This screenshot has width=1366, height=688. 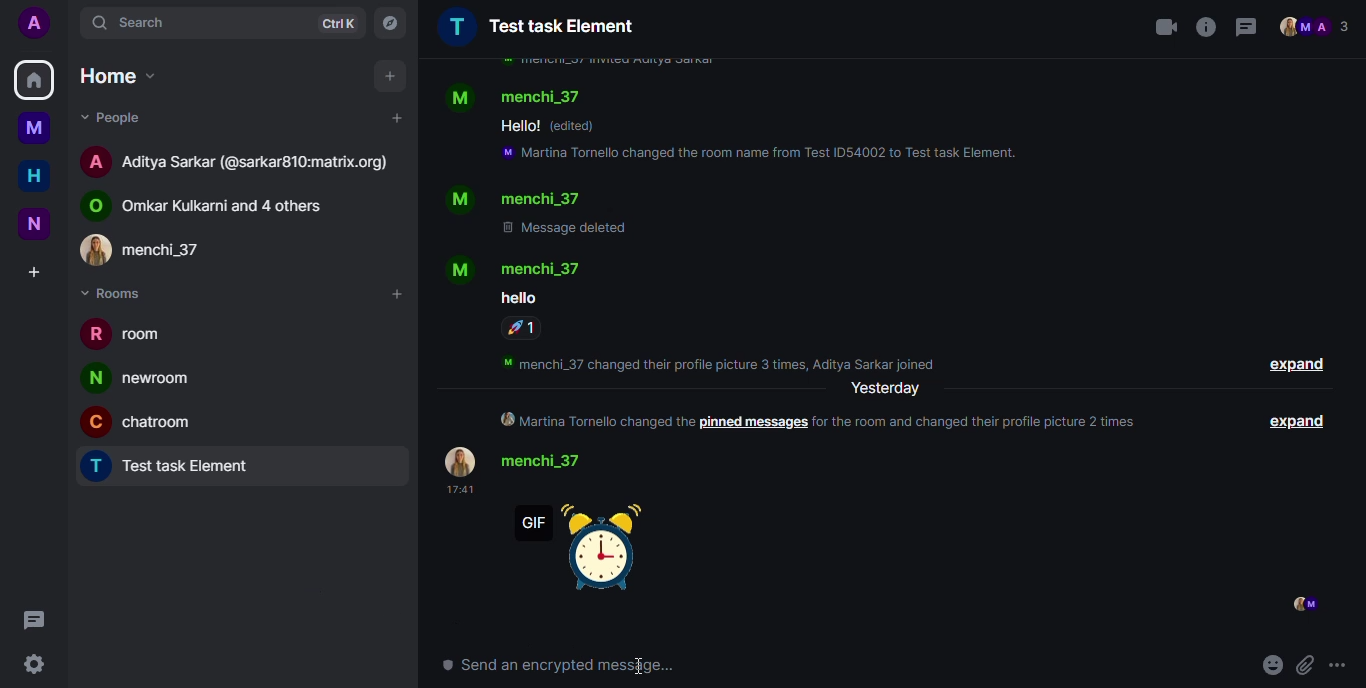 I want to click on cursor, so click(x=639, y=663).